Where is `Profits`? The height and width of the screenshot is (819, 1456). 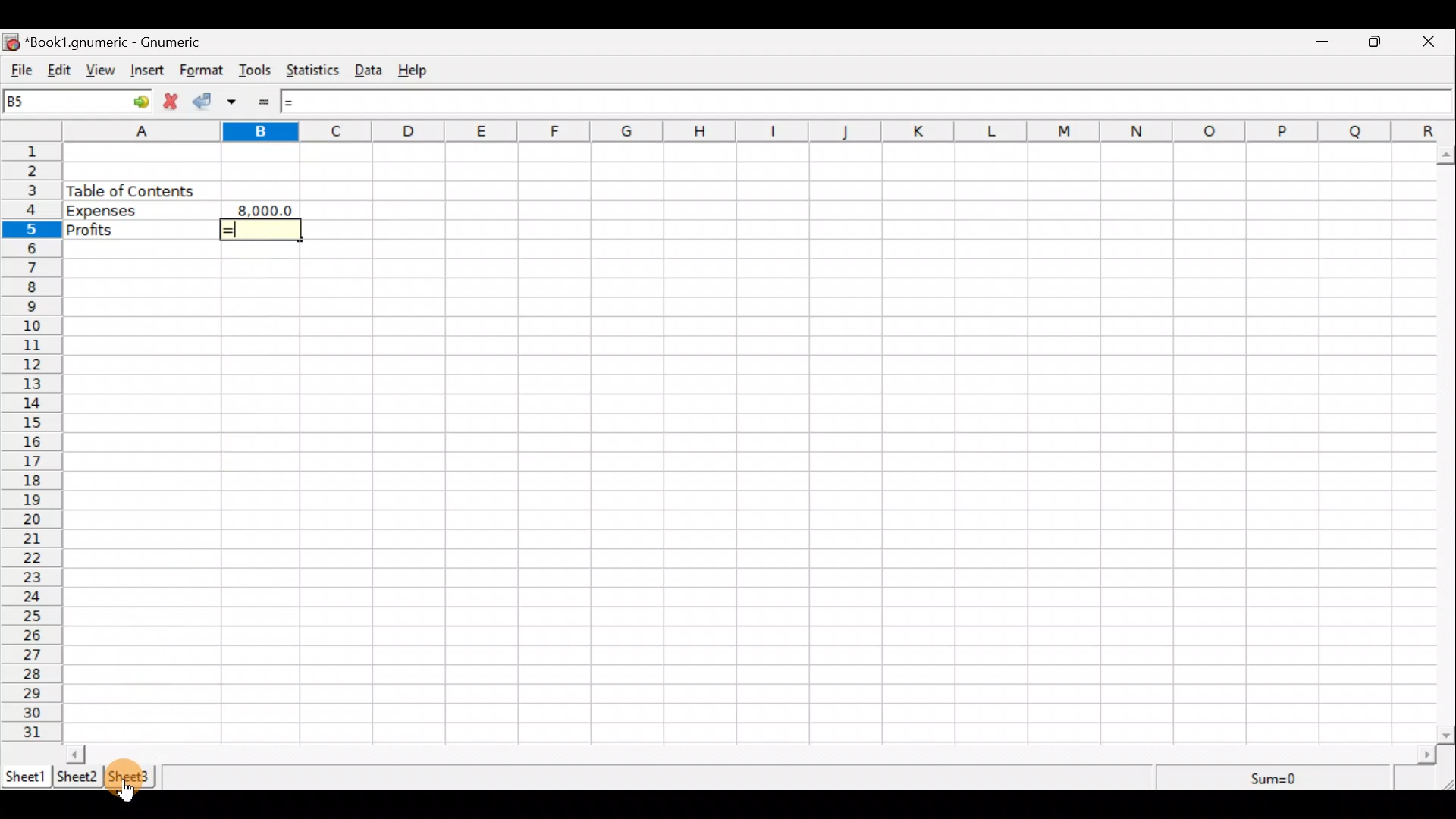
Profits is located at coordinates (140, 231).